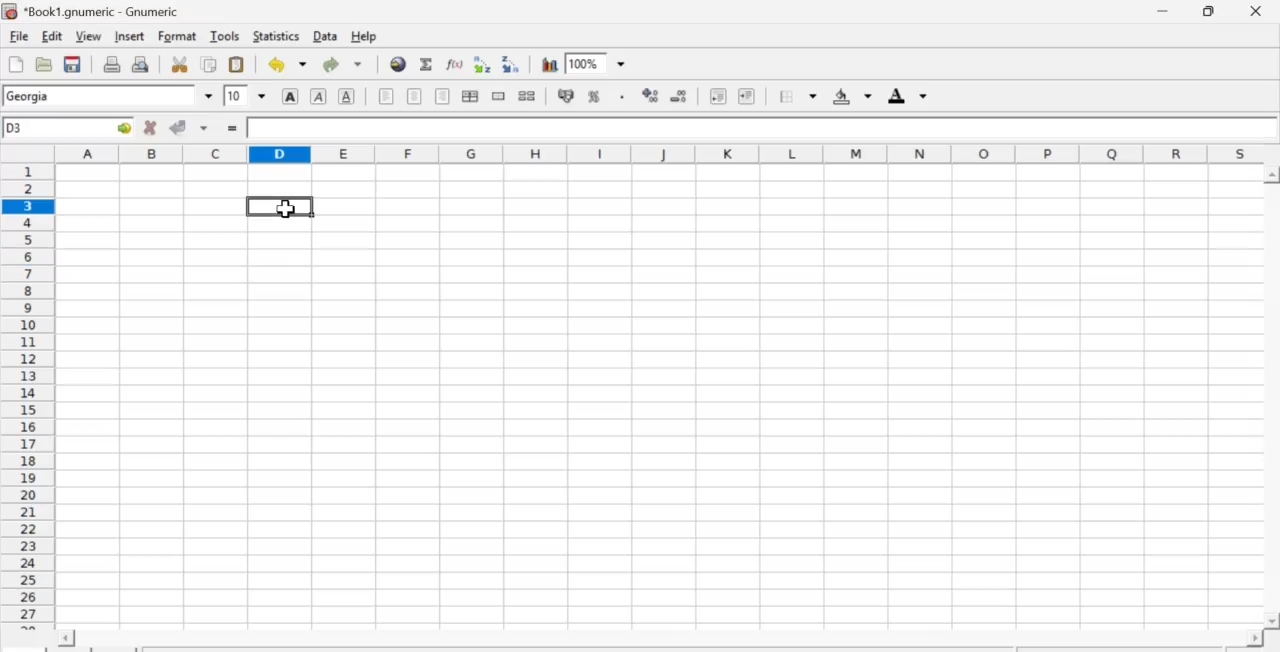  Describe the element at coordinates (1272, 622) in the screenshot. I see `scroll down` at that location.